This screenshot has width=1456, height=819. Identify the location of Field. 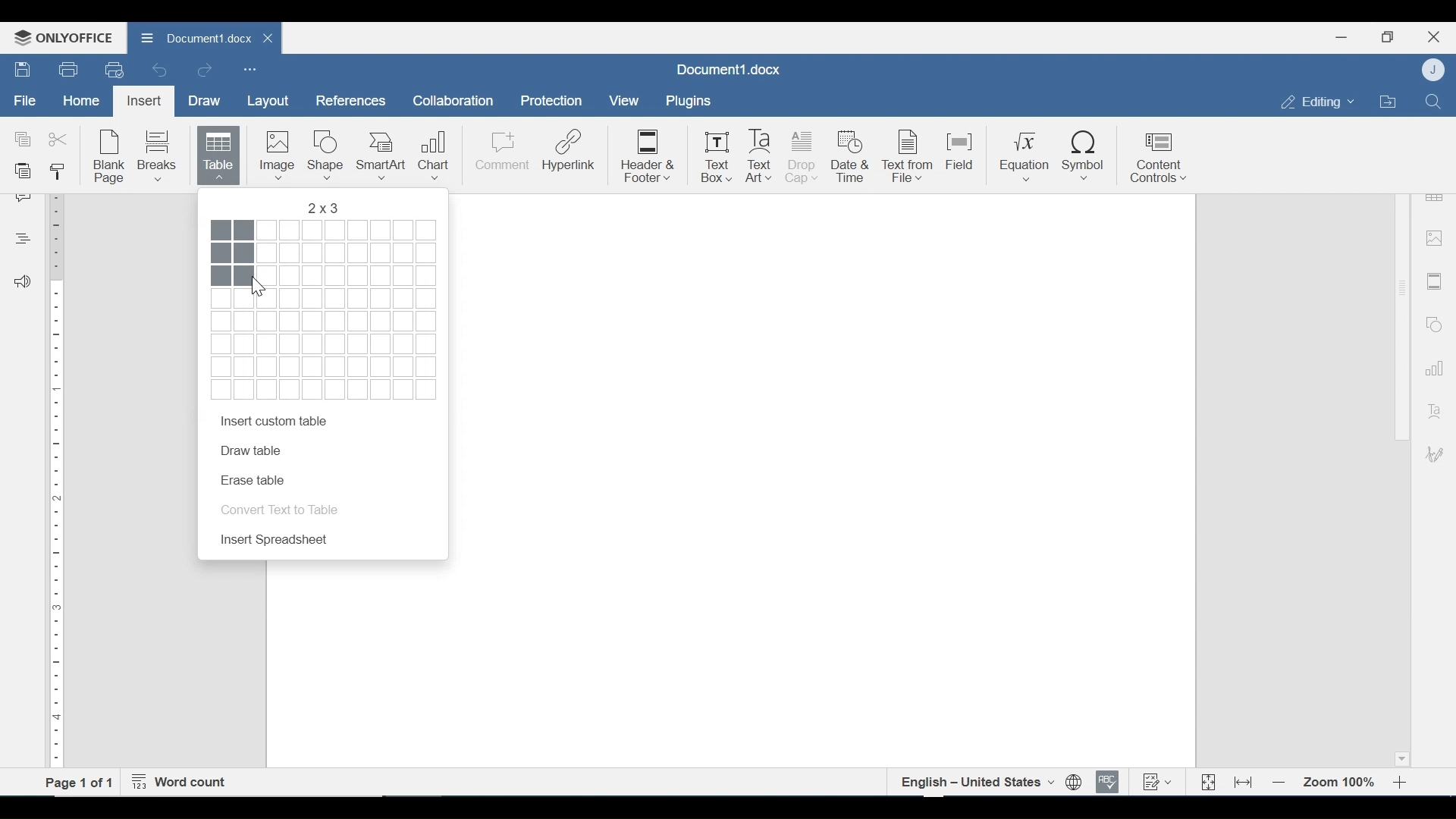
(962, 156).